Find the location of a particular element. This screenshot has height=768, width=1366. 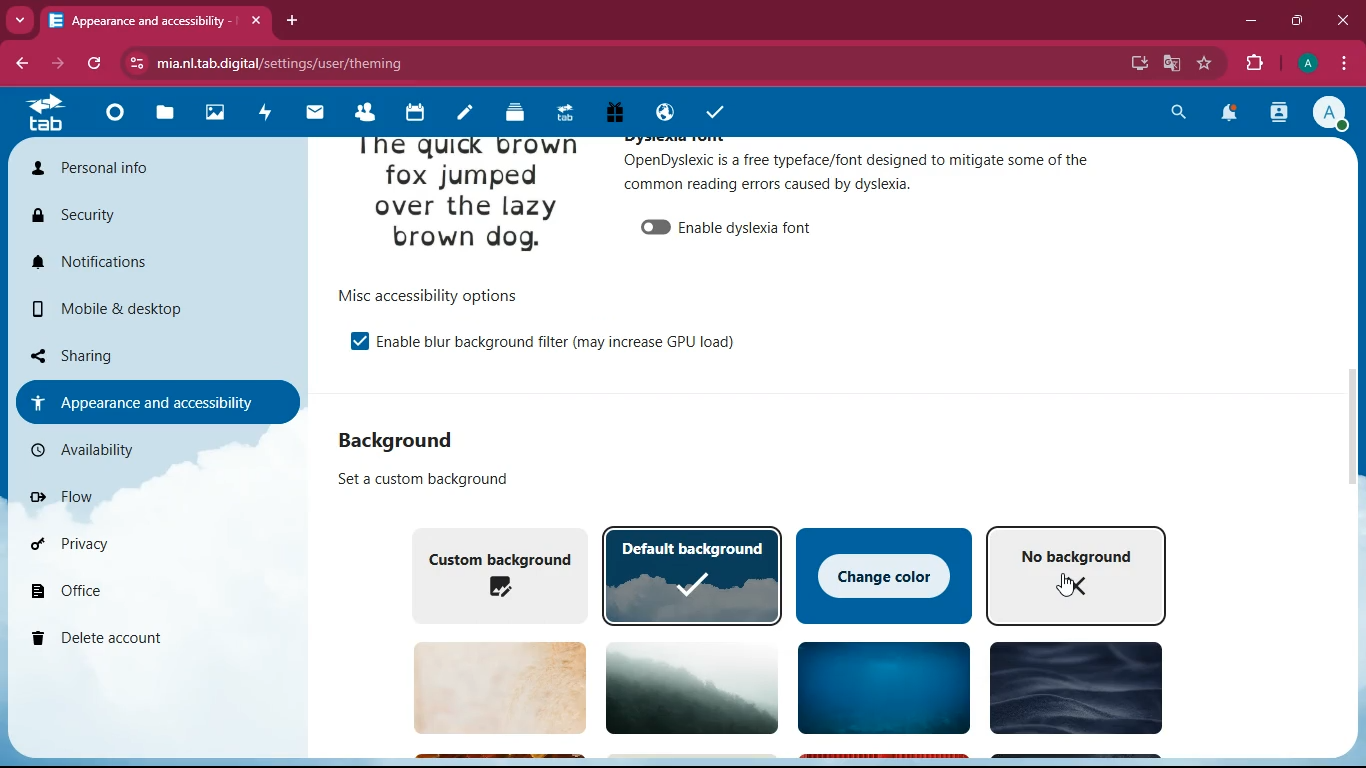

desktop is located at coordinates (1135, 64).